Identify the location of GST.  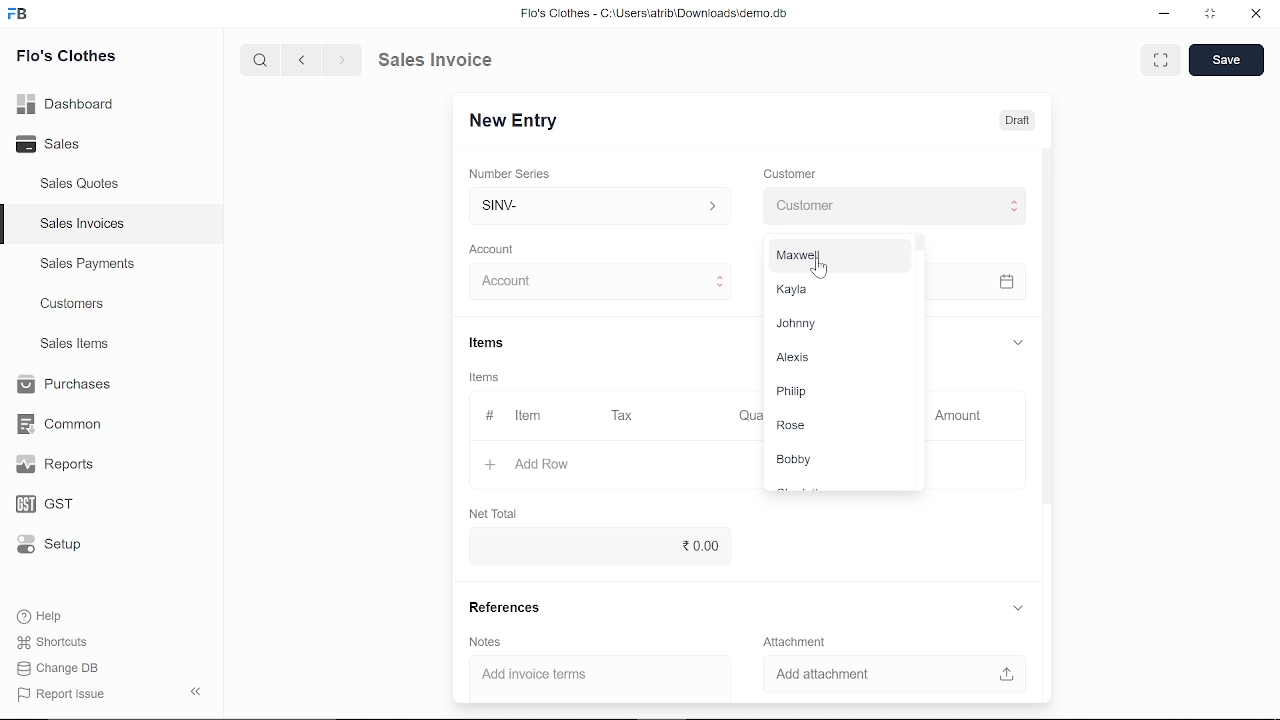
(62, 505).